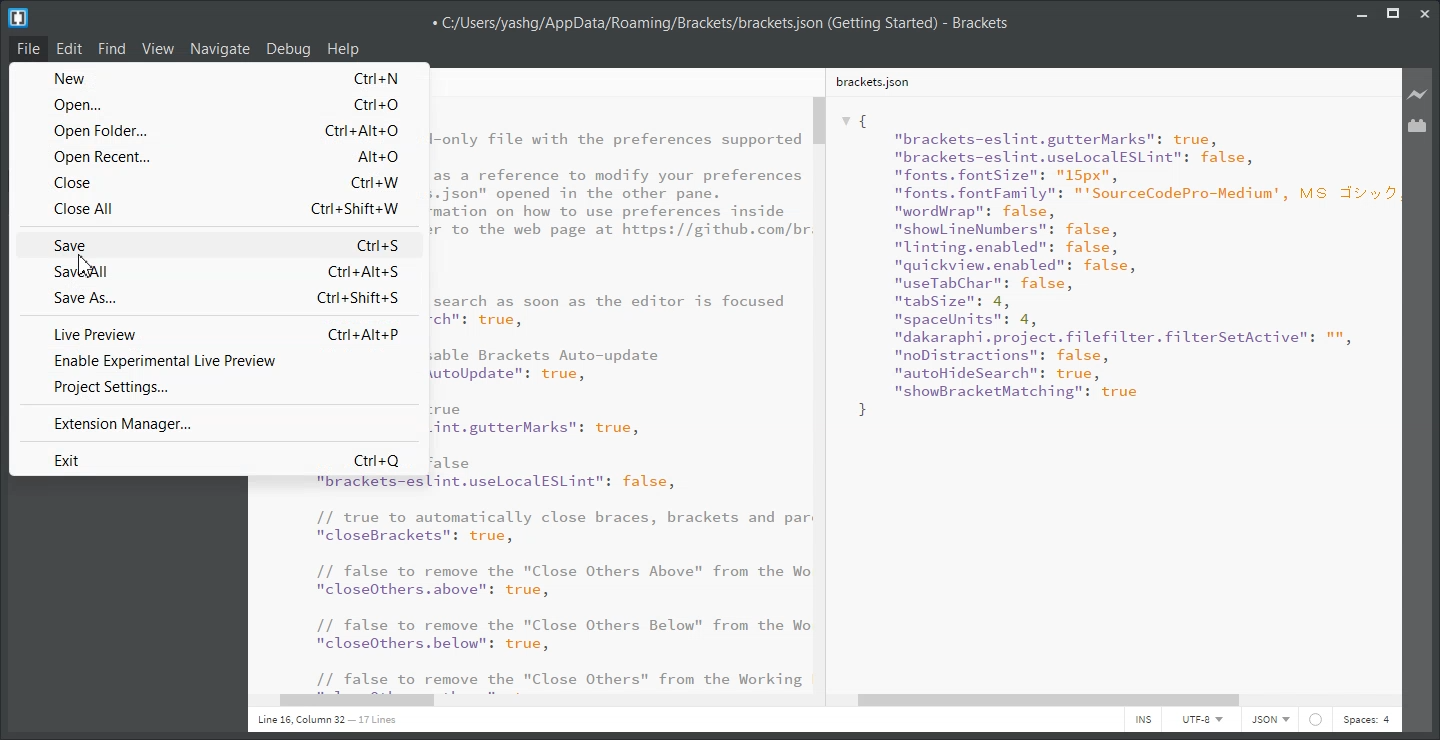 Image resolution: width=1440 pixels, height=740 pixels. I want to click on code, so click(620, 299).